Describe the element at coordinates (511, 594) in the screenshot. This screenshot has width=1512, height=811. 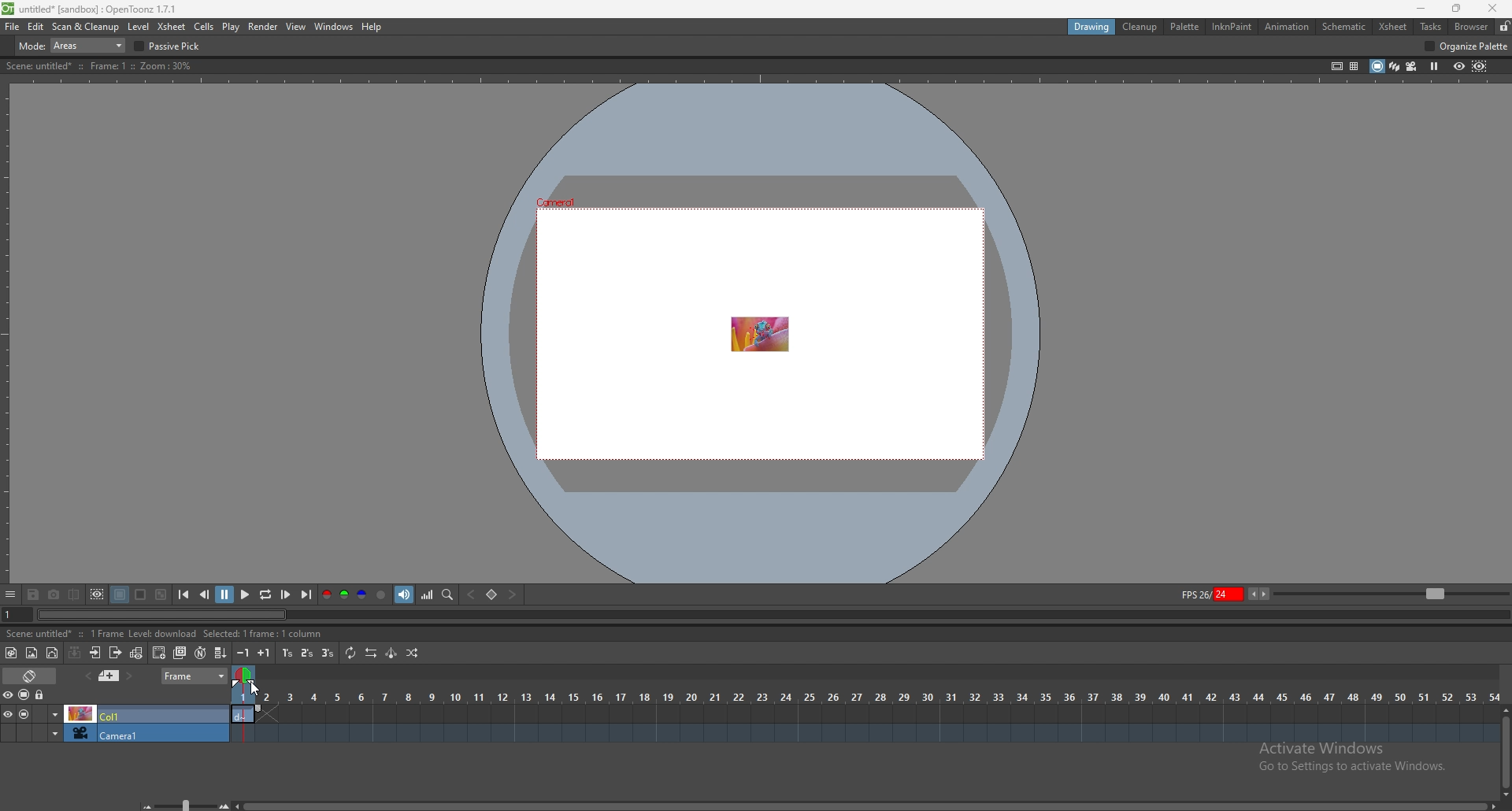
I see `next key` at that location.